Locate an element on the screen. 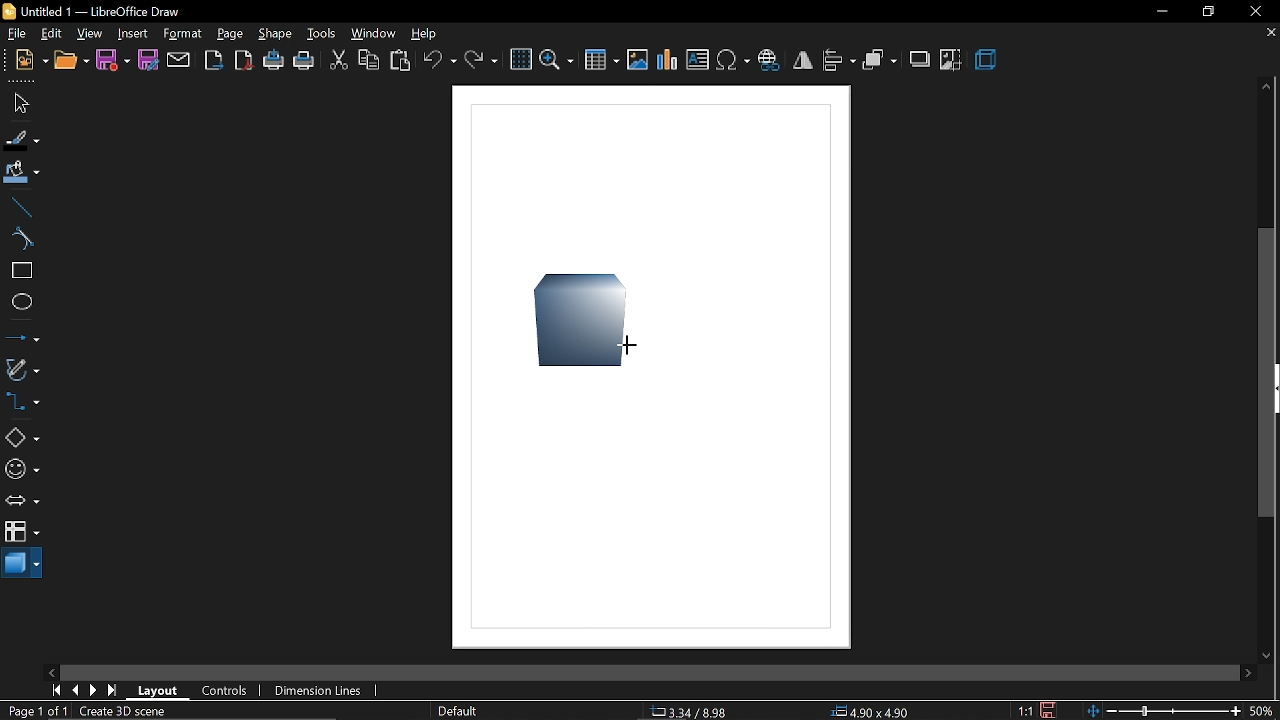  save is located at coordinates (114, 61).